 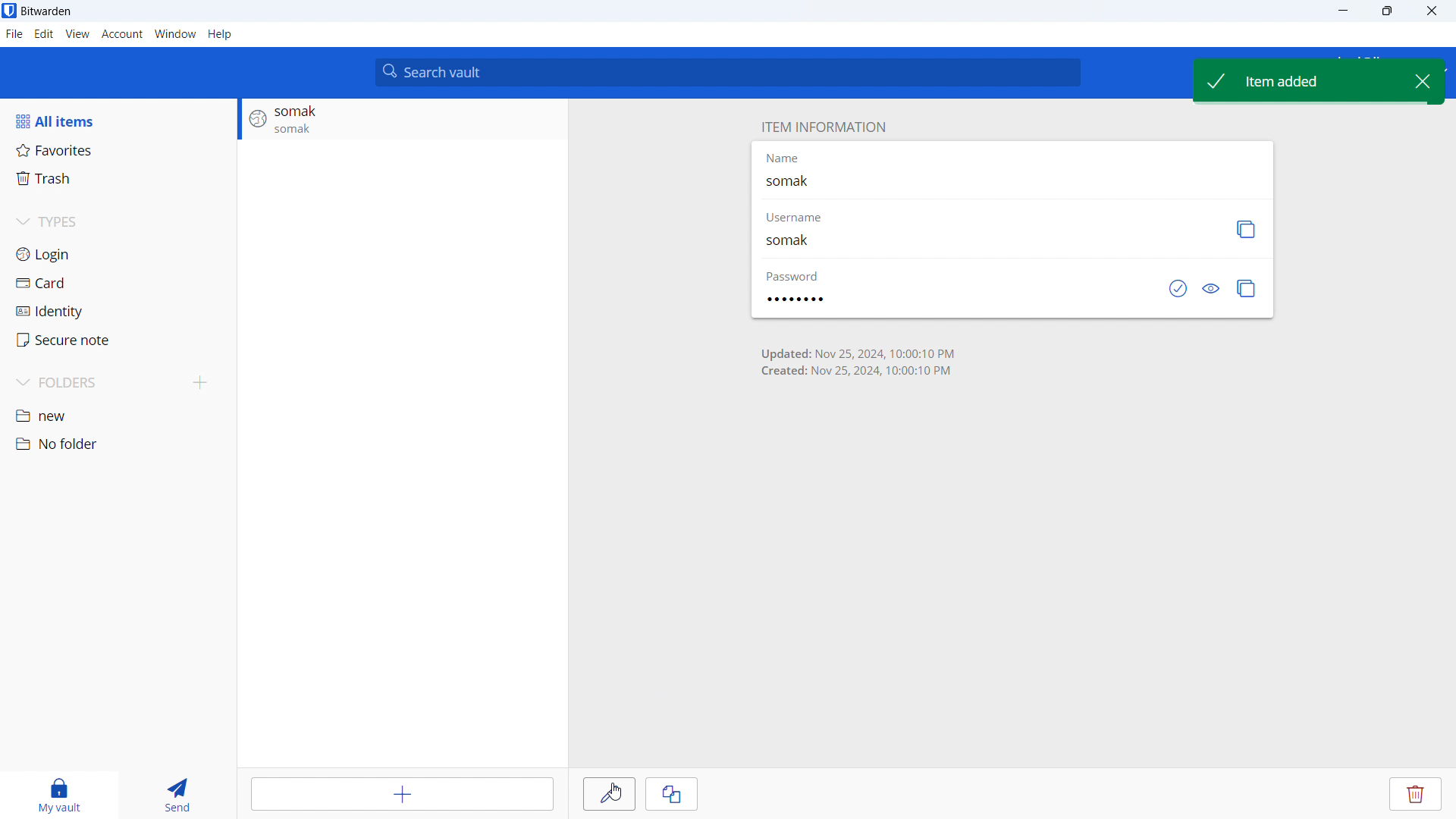 What do you see at coordinates (96, 383) in the screenshot?
I see `folders` at bounding box center [96, 383].